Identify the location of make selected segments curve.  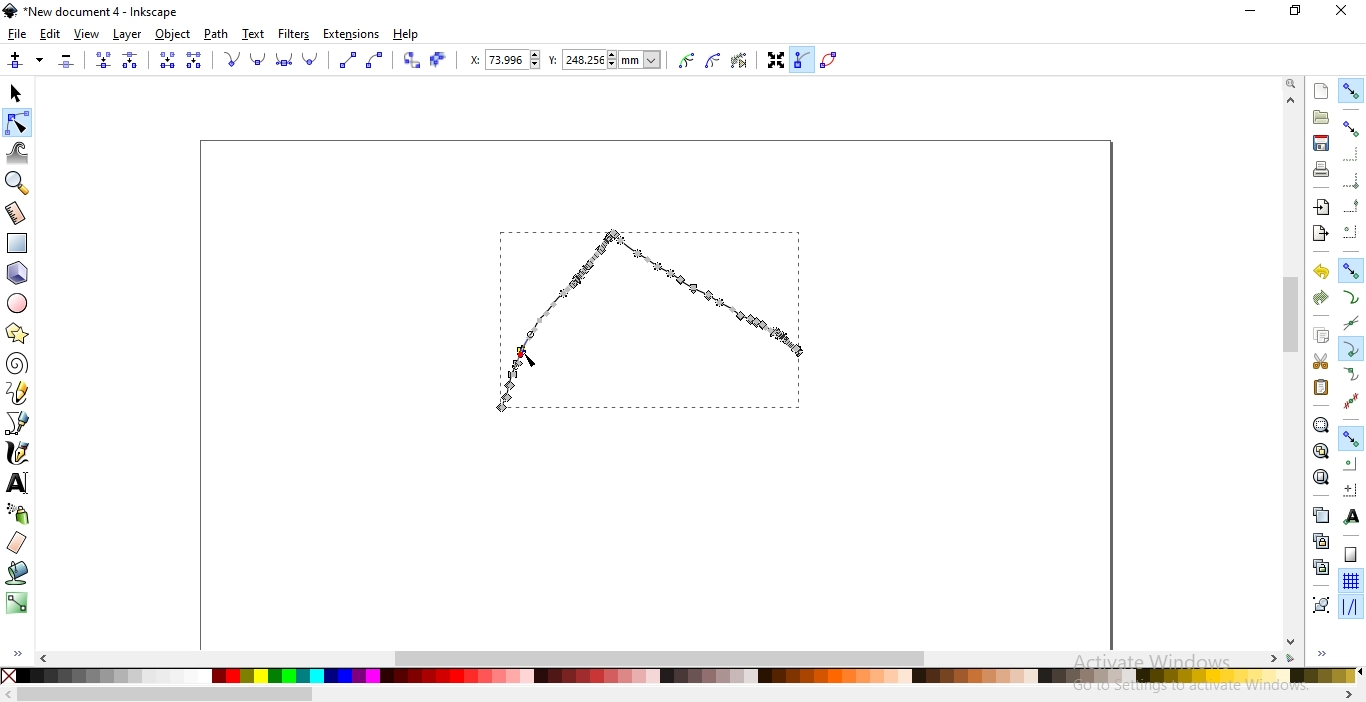
(376, 61).